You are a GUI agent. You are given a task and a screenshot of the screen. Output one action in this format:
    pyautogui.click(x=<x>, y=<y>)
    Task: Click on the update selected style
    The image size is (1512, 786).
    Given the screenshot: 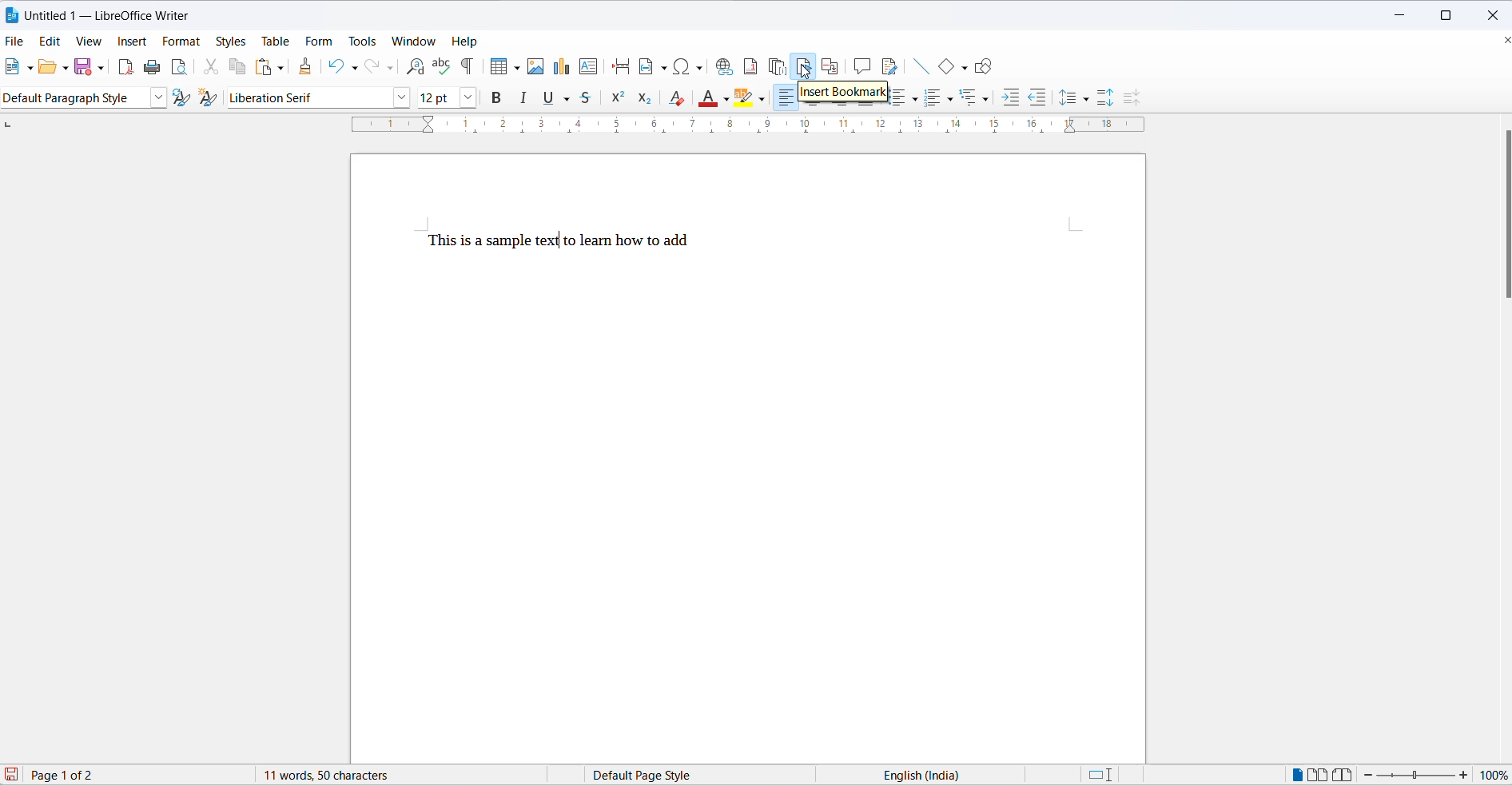 What is the action you would take?
    pyautogui.click(x=180, y=97)
    